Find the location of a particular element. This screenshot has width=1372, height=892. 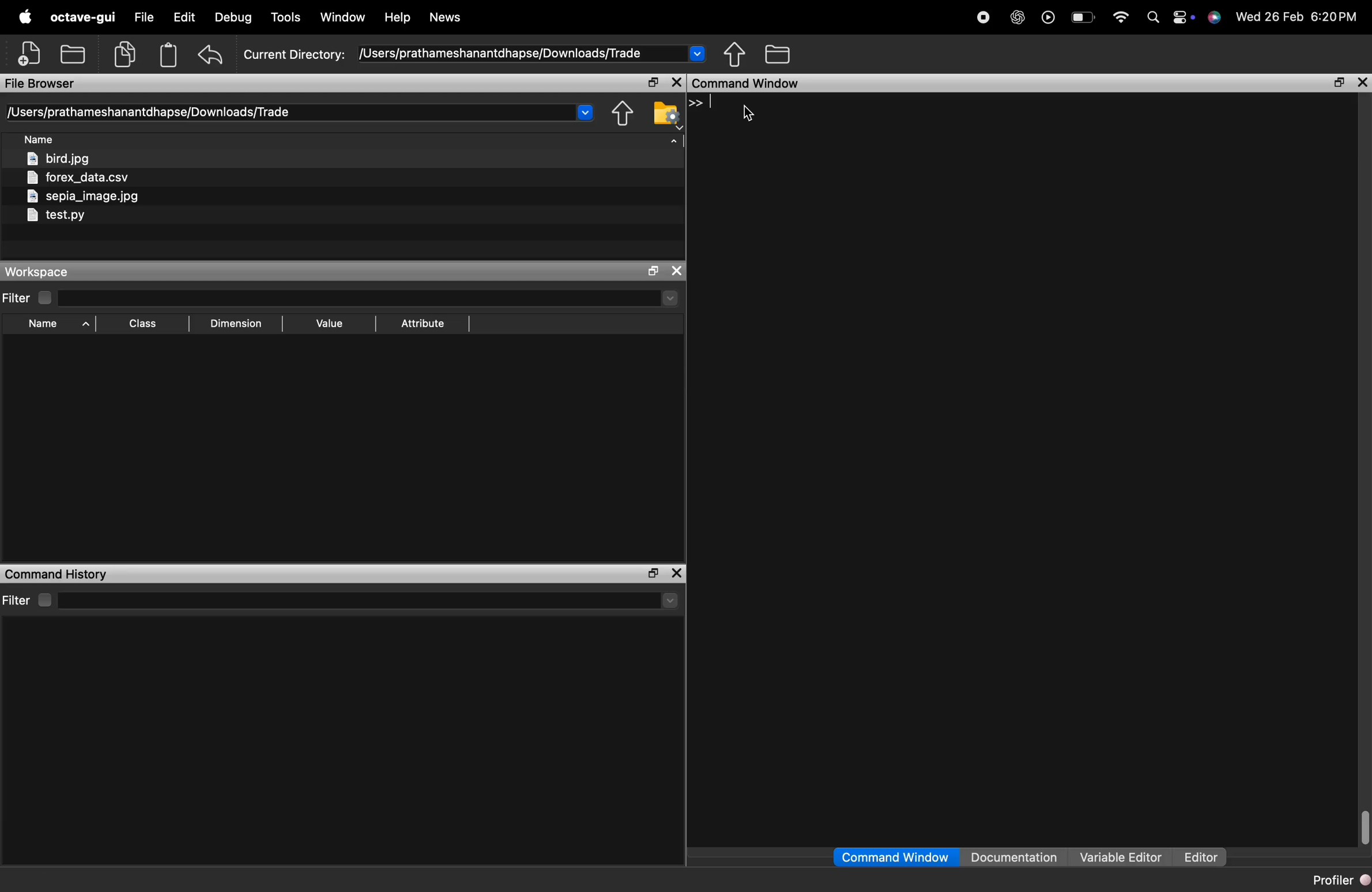

Folder is located at coordinates (779, 54).